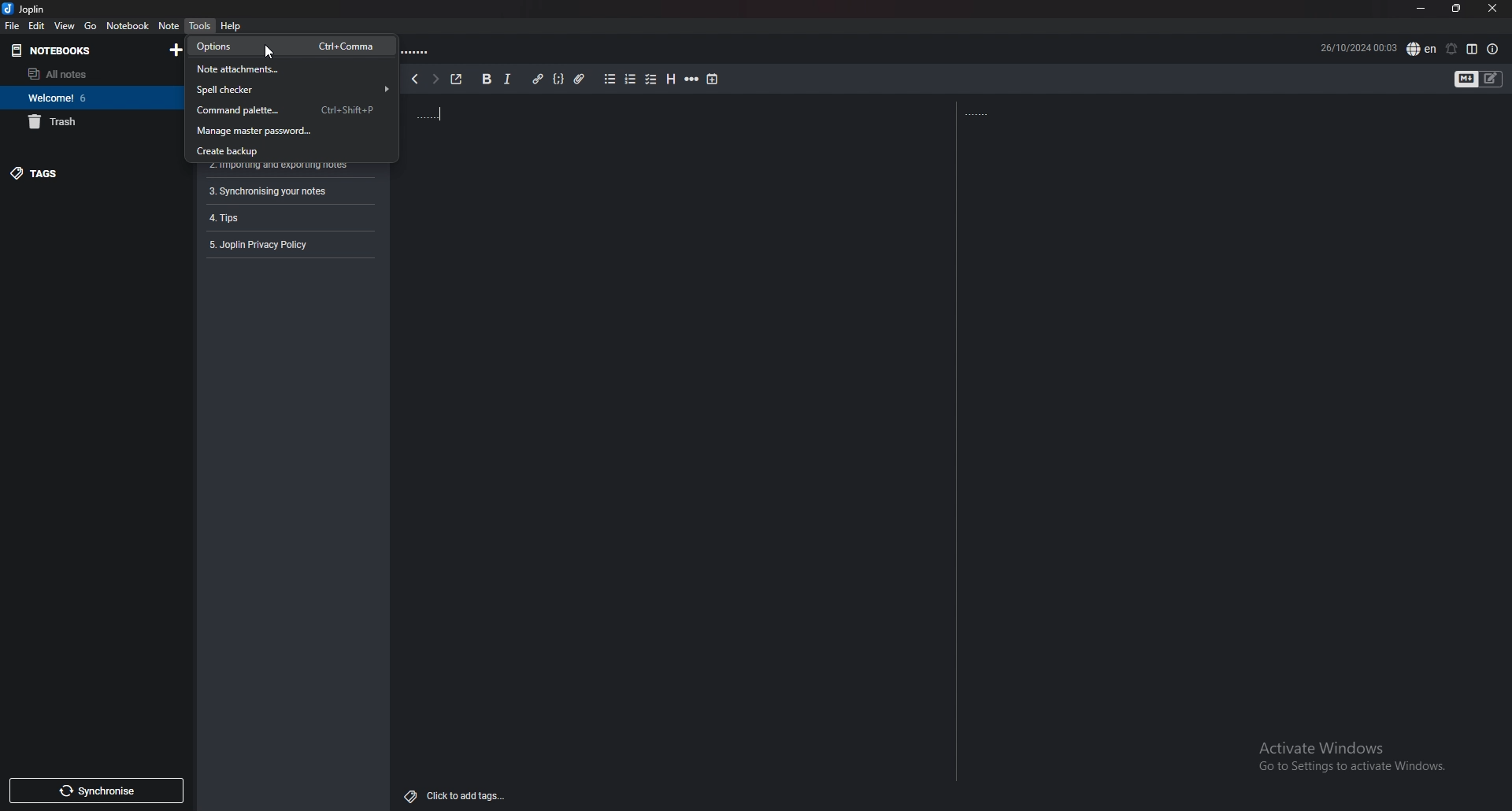 This screenshot has height=811, width=1512. I want to click on ......., so click(422, 50).